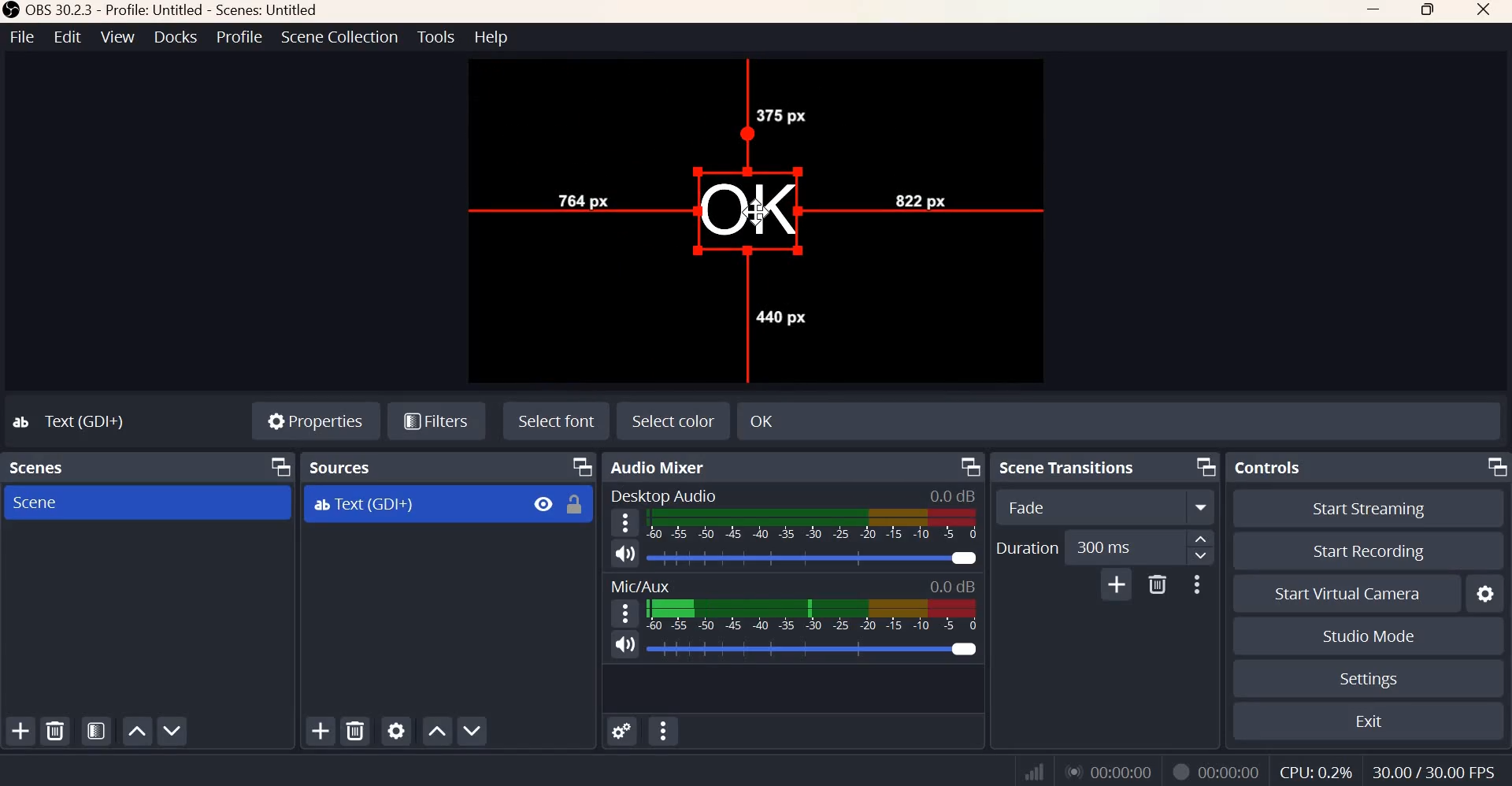  What do you see at coordinates (1124, 547) in the screenshot?
I see `Duration Input` at bounding box center [1124, 547].